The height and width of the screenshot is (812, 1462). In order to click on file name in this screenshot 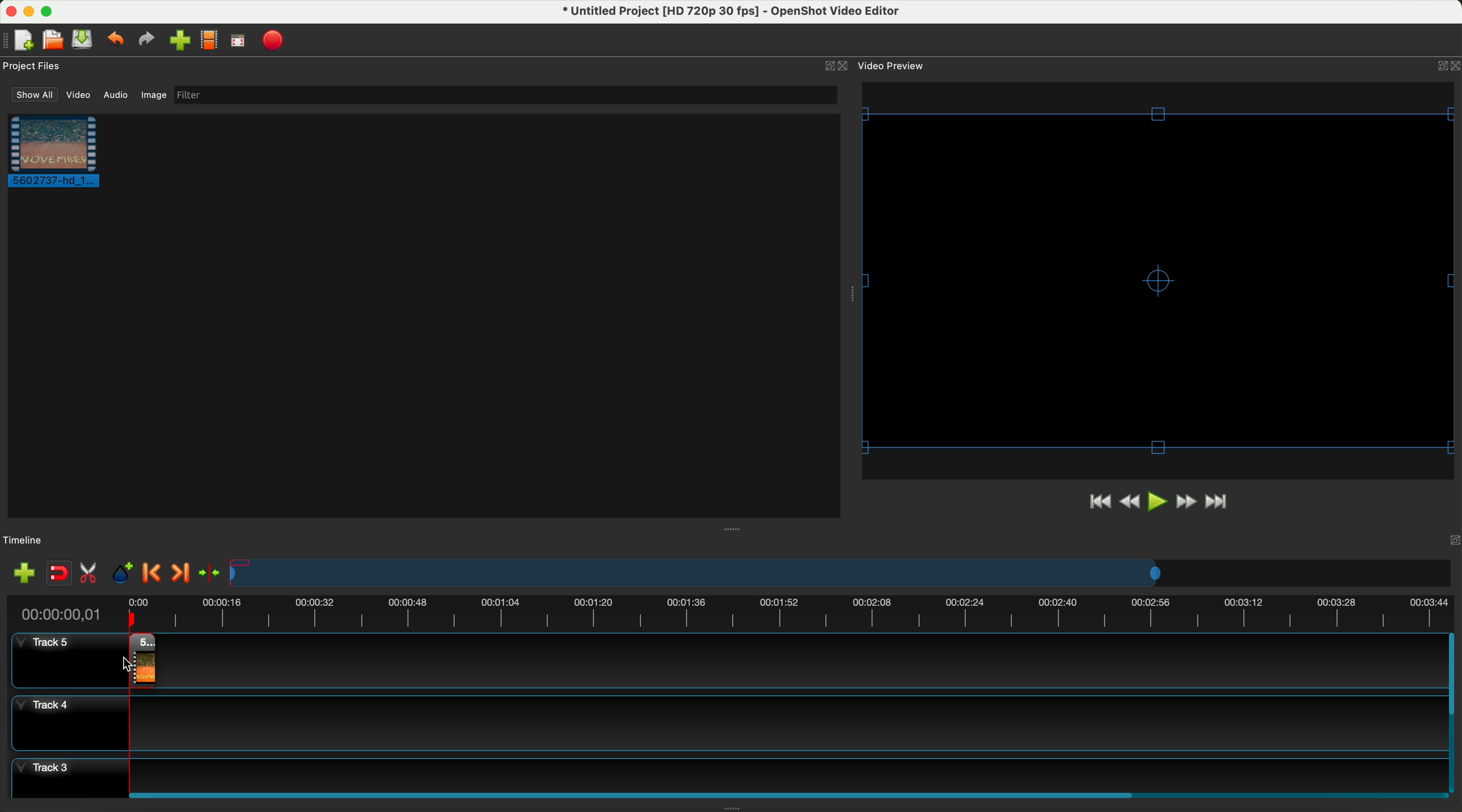, I will do `click(736, 14)`.